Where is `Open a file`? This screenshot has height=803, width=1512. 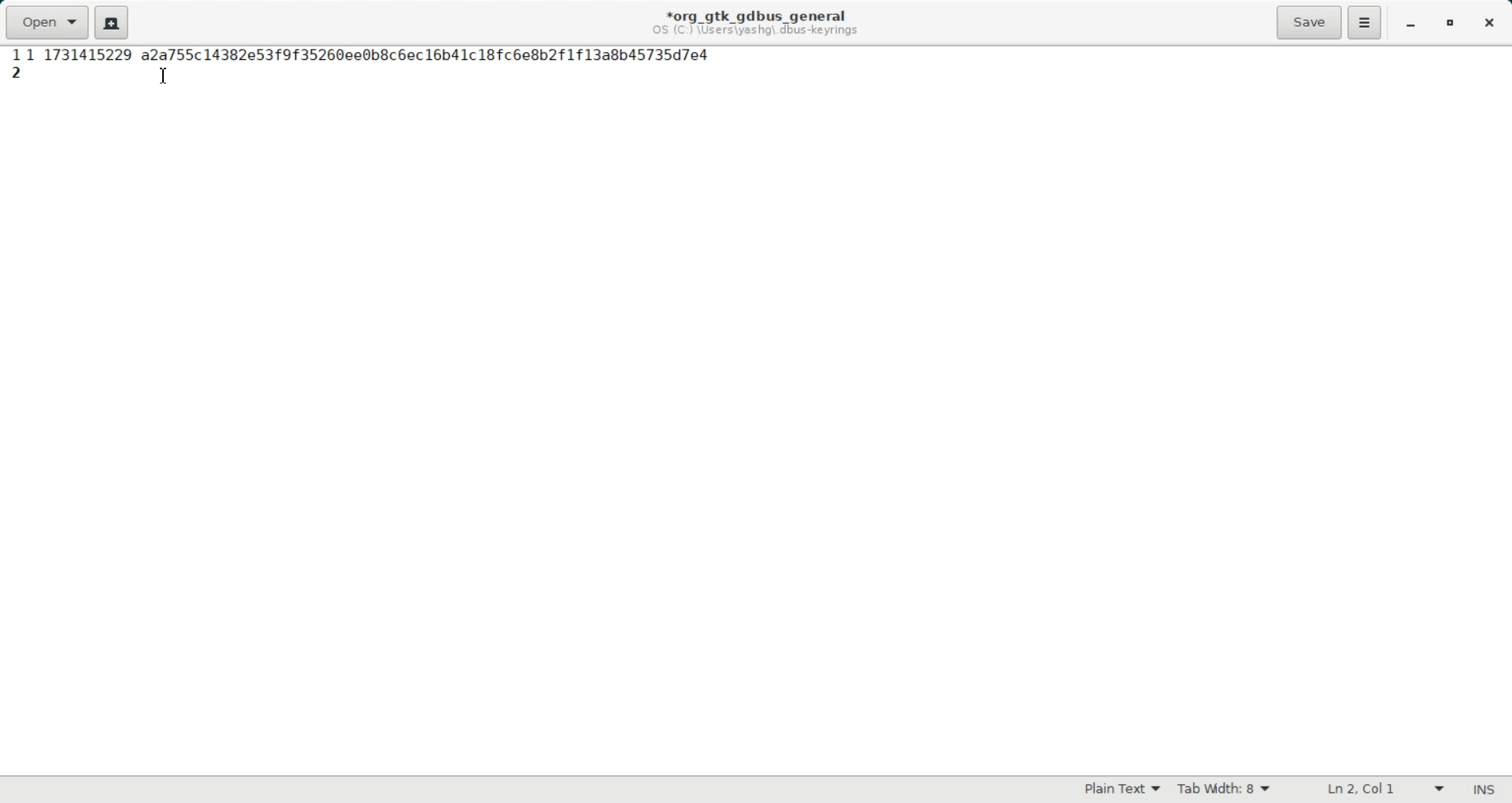 Open a file is located at coordinates (46, 22).